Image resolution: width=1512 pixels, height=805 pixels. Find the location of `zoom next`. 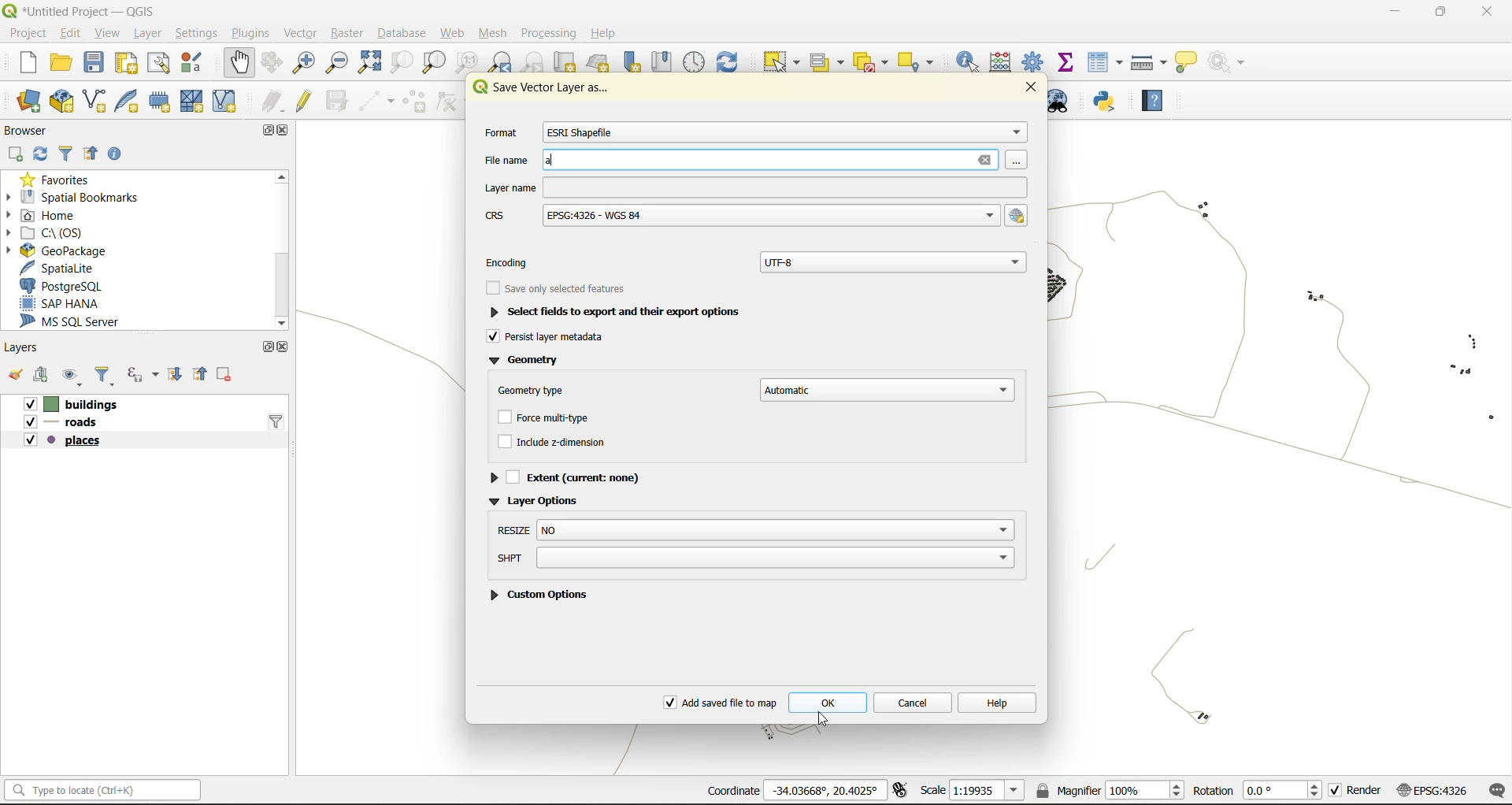

zoom next is located at coordinates (531, 63).